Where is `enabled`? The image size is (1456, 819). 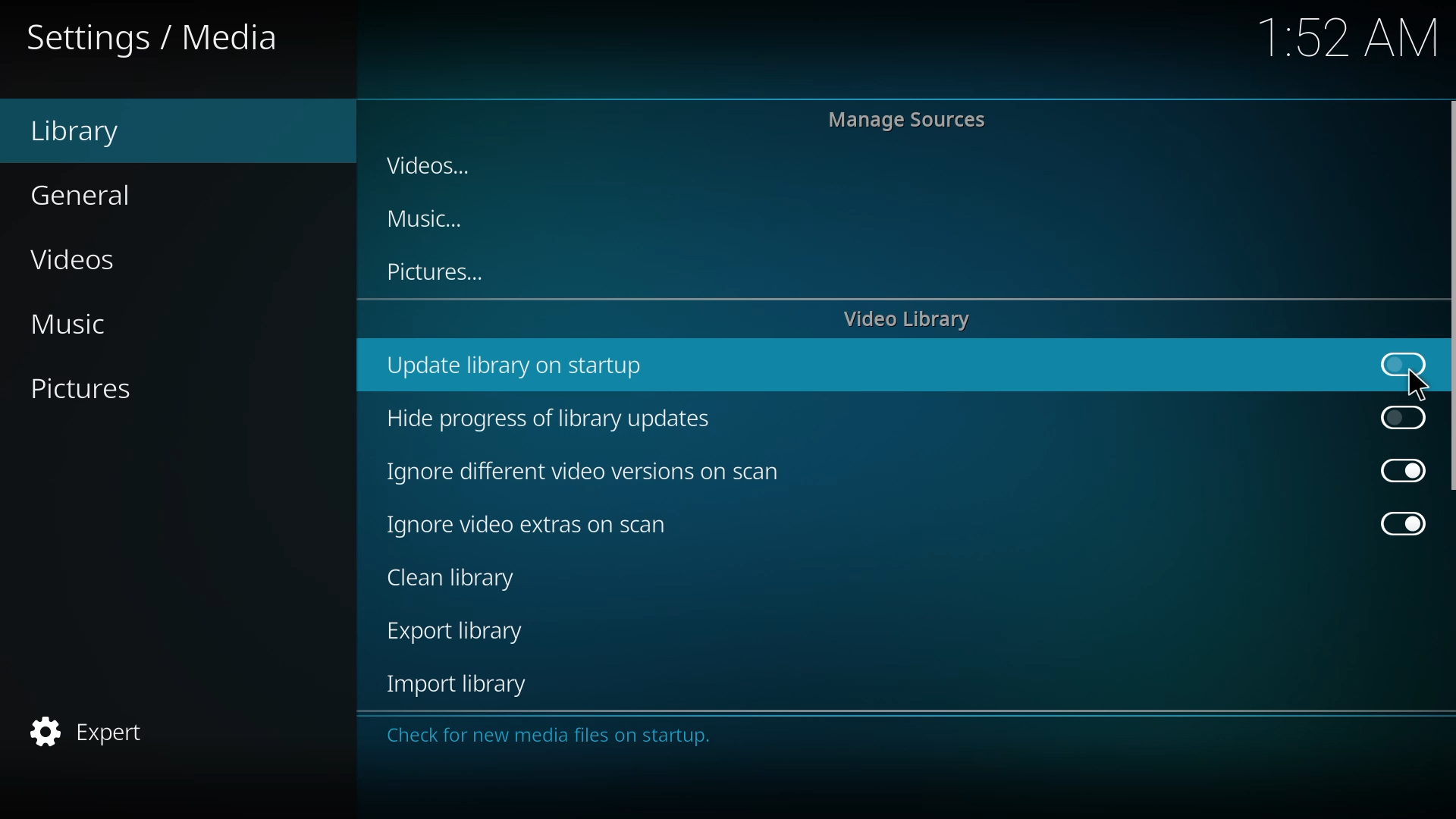
enabled is located at coordinates (1397, 521).